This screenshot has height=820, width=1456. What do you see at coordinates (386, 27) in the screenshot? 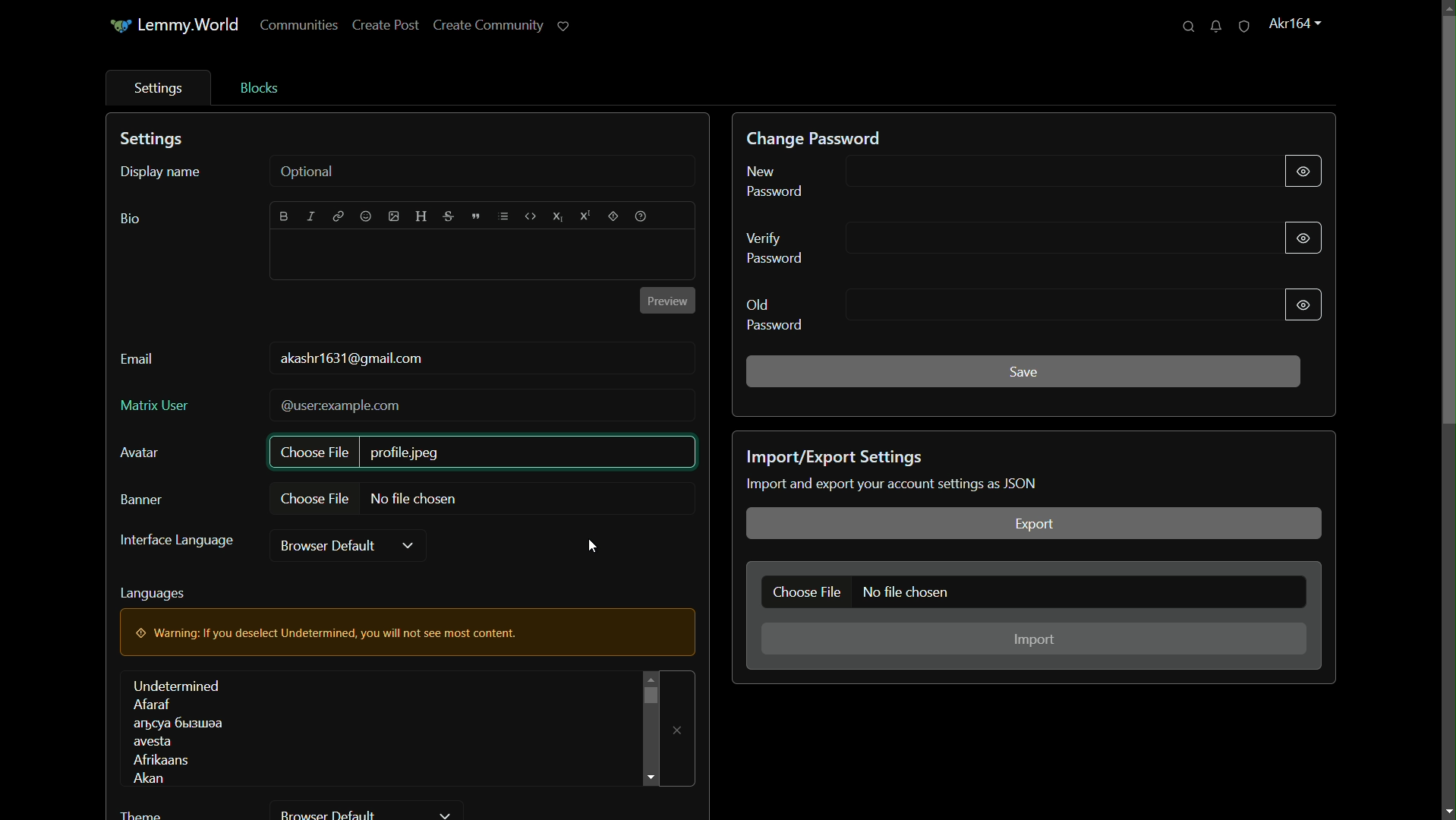
I see `create post` at bounding box center [386, 27].